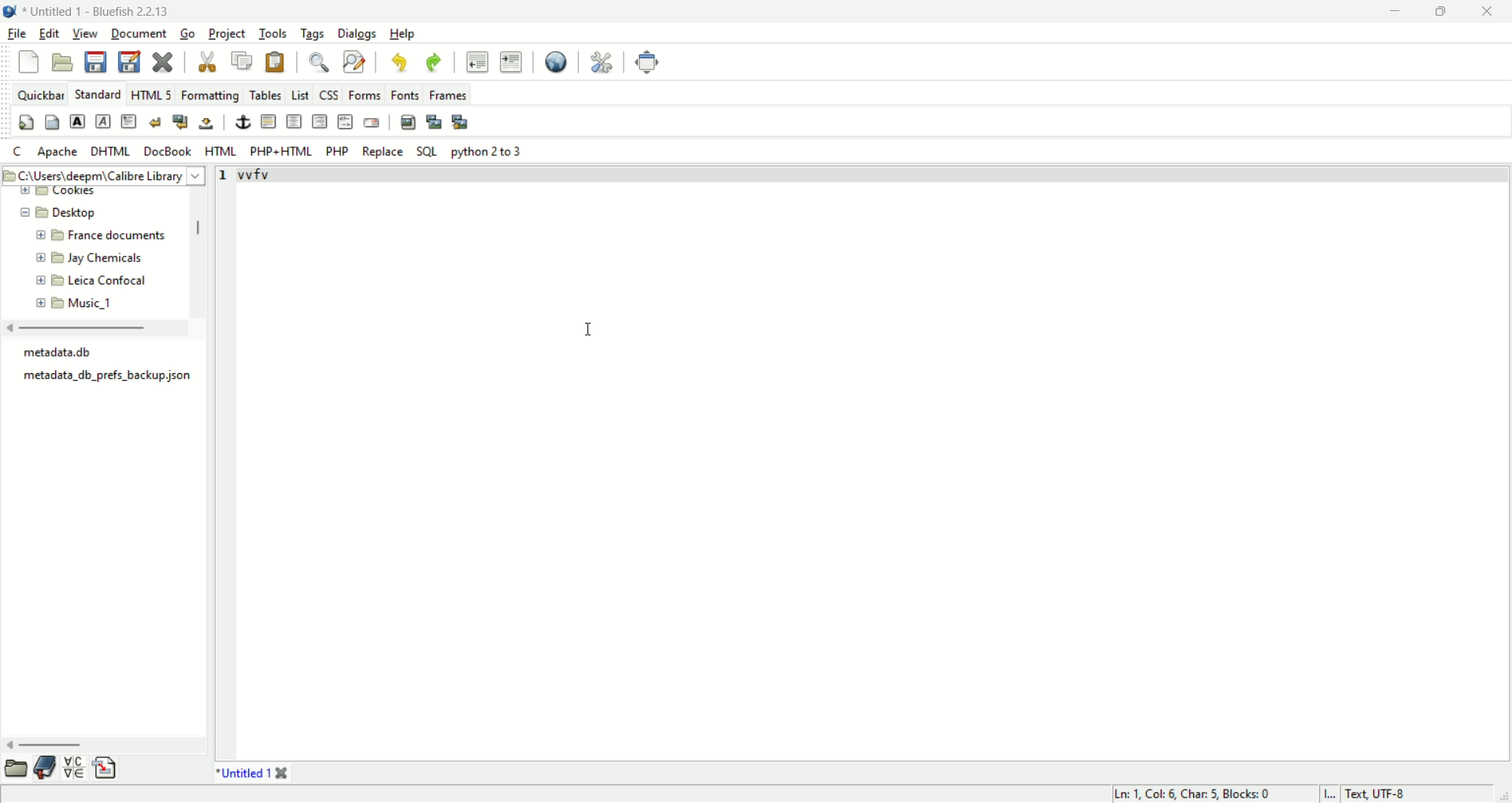  I want to click on strong, so click(76, 120).